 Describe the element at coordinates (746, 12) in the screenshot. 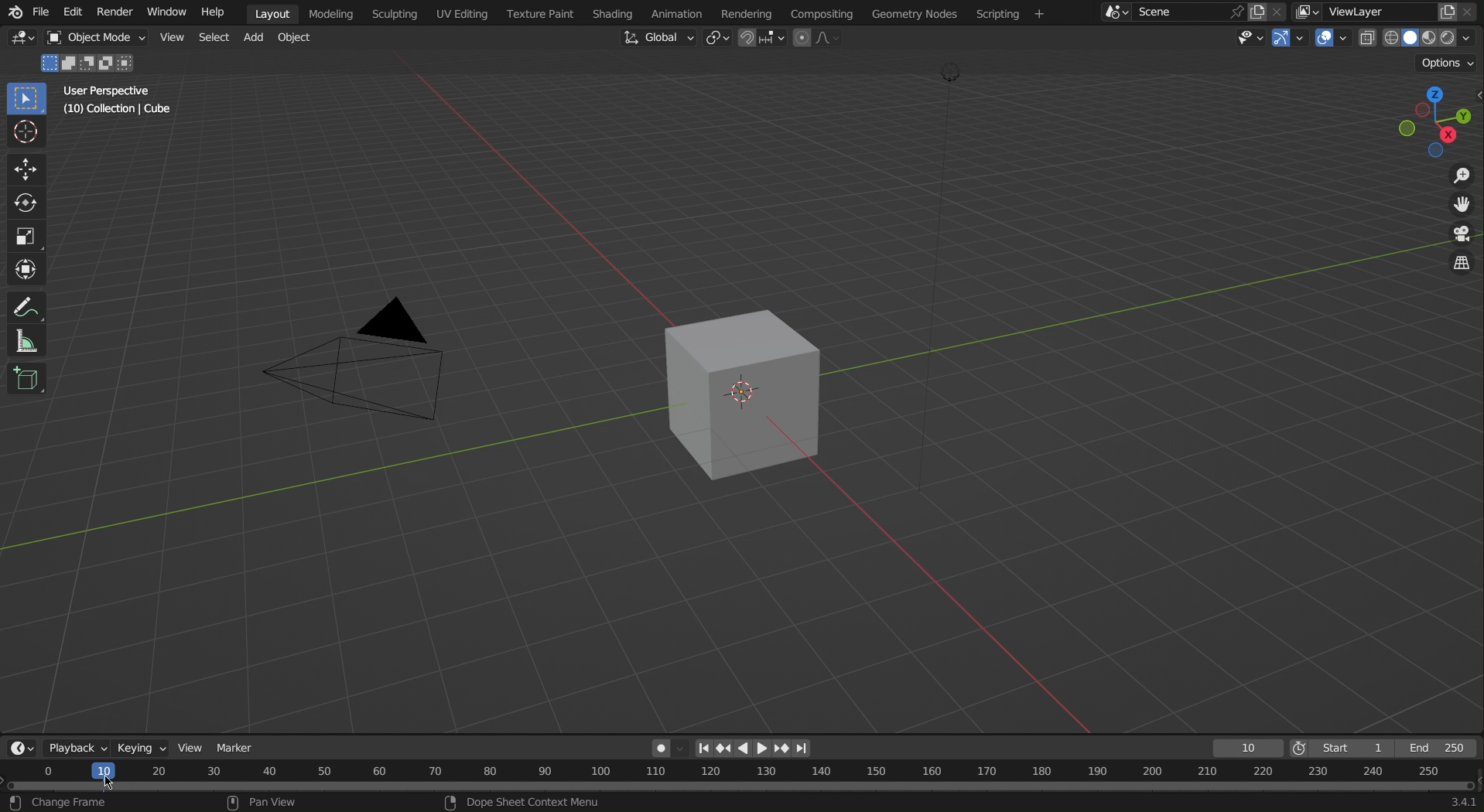

I see `Rendering` at that location.